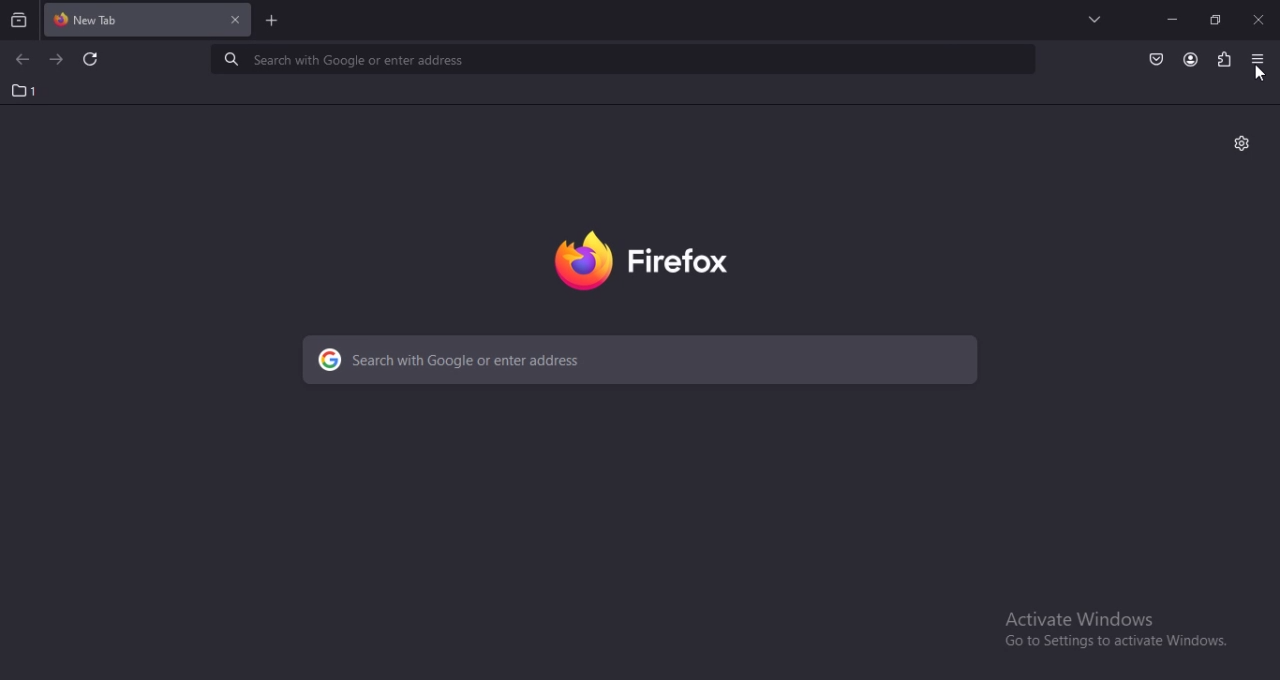 Image resolution: width=1280 pixels, height=680 pixels. Describe the element at coordinates (652, 264) in the screenshot. I see `firefox` at that location.